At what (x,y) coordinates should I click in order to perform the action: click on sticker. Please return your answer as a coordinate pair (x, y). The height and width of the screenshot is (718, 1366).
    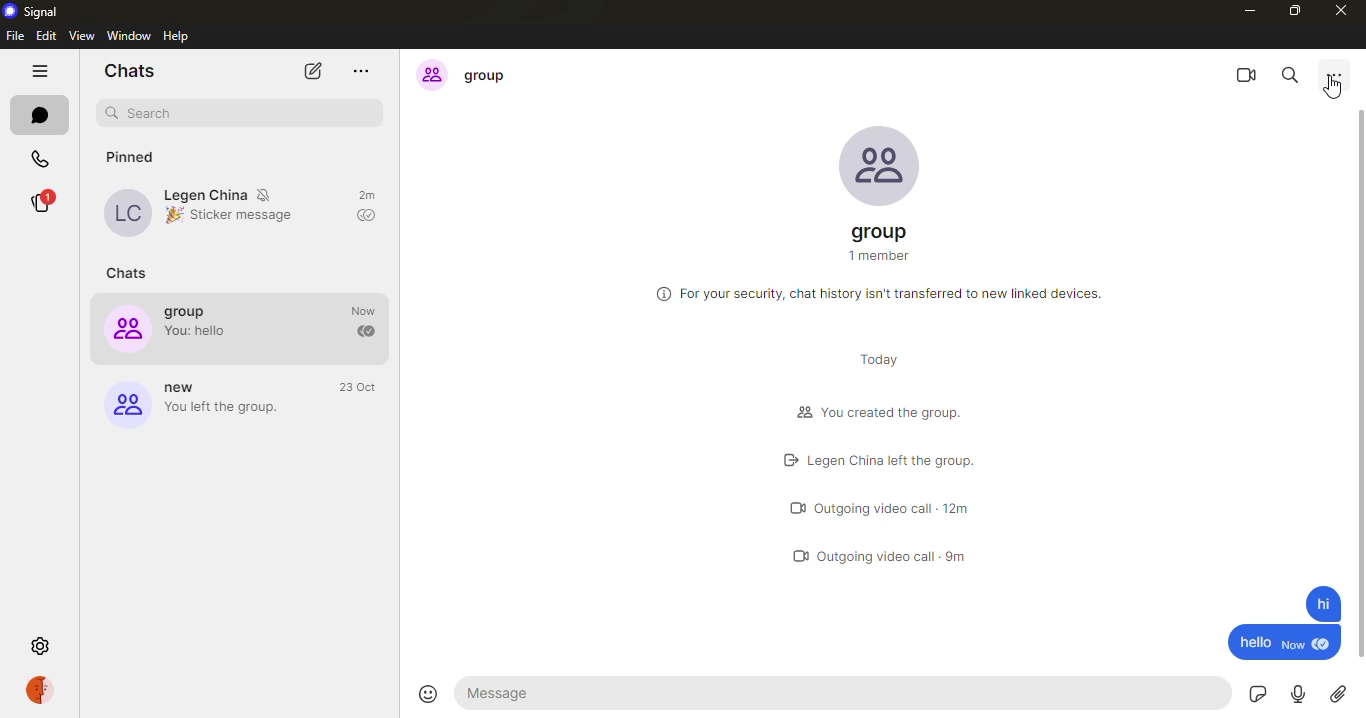
    Looking at the image, I should click on (1253, 696).